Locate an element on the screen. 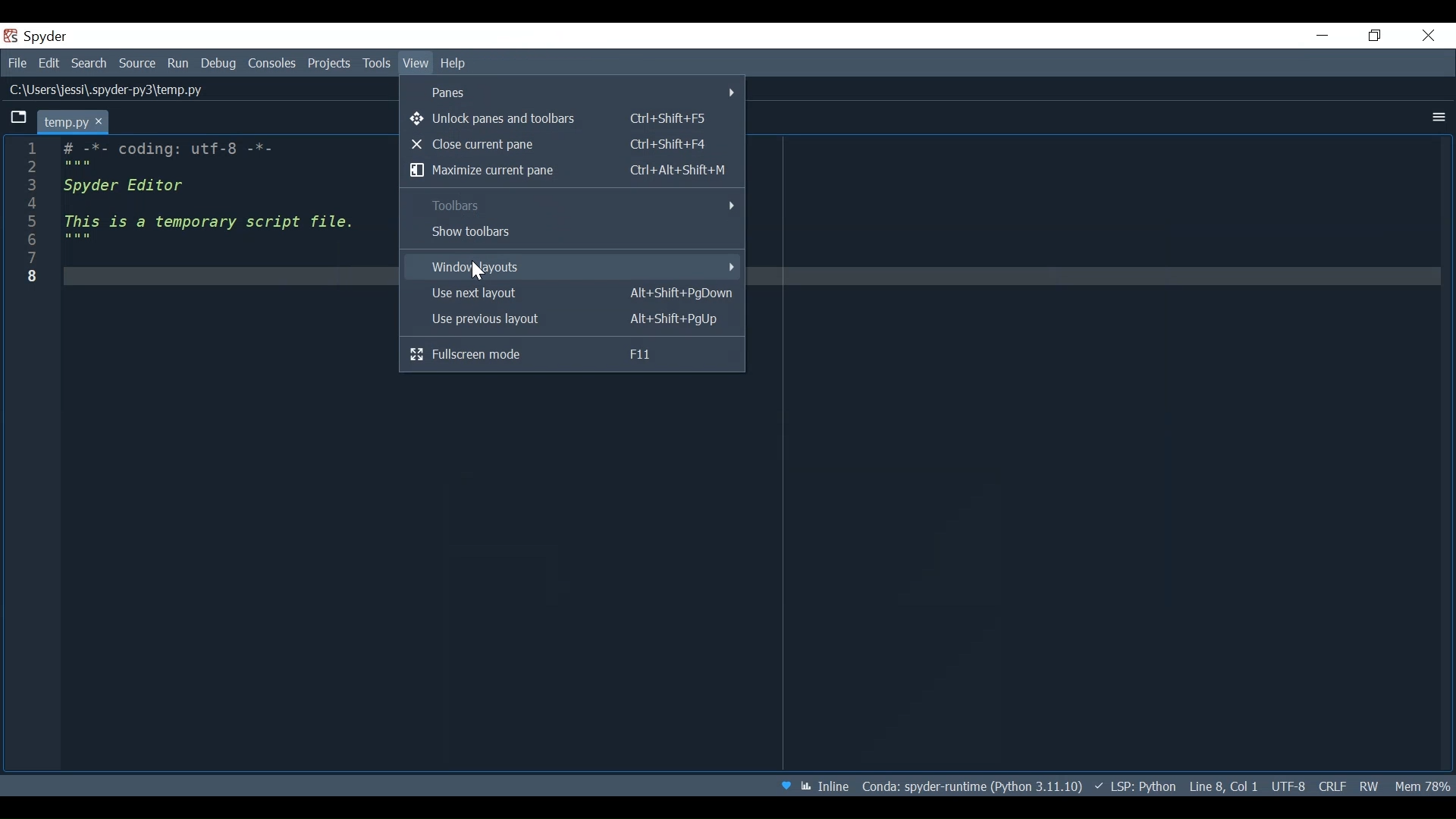 The image size is (1456, 819). File Permissions is located at coordinates (1370, 787).